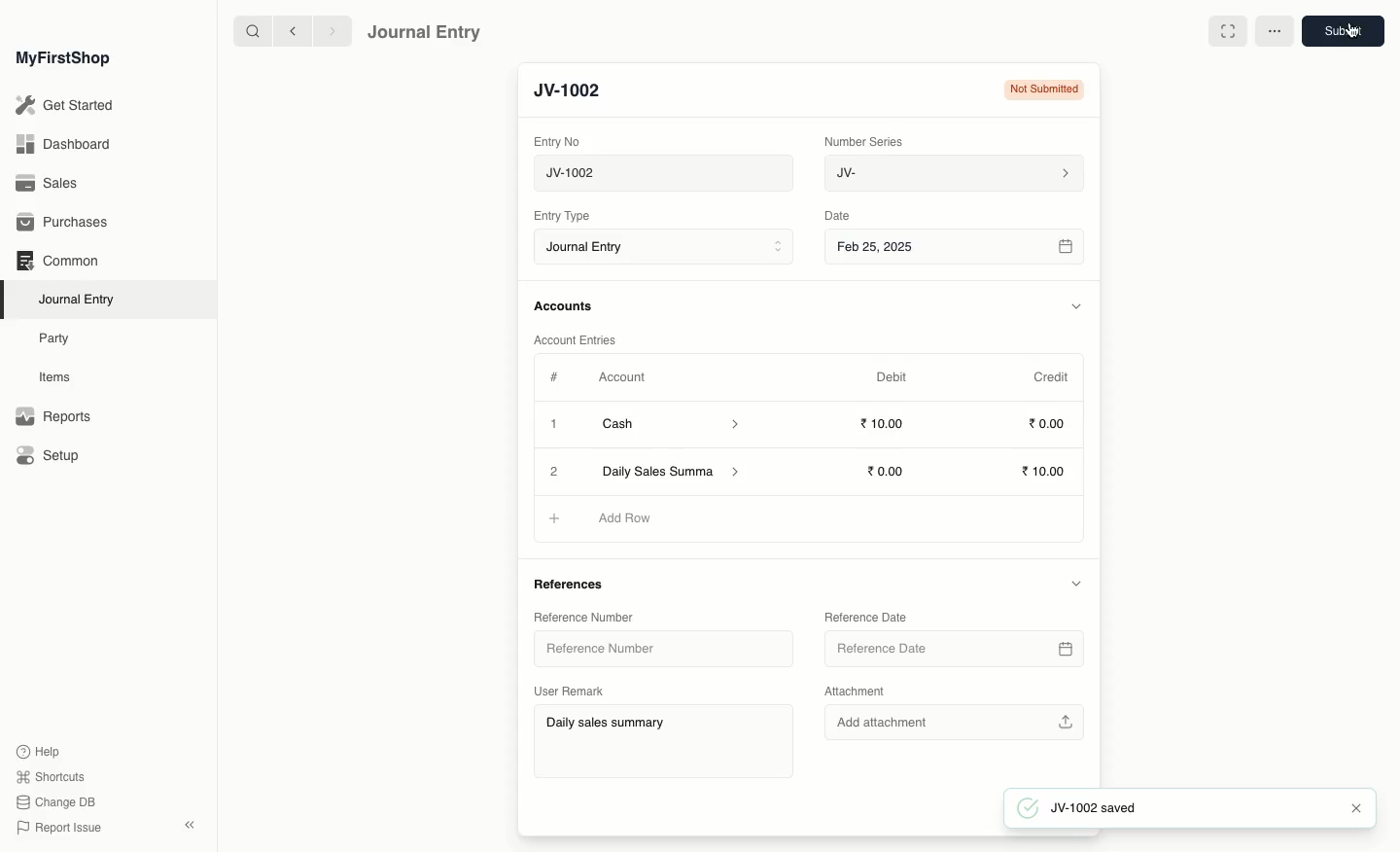  Describe the element at coordinates (669, 248) in the screenshot. I see `Journal Entry` at that location.